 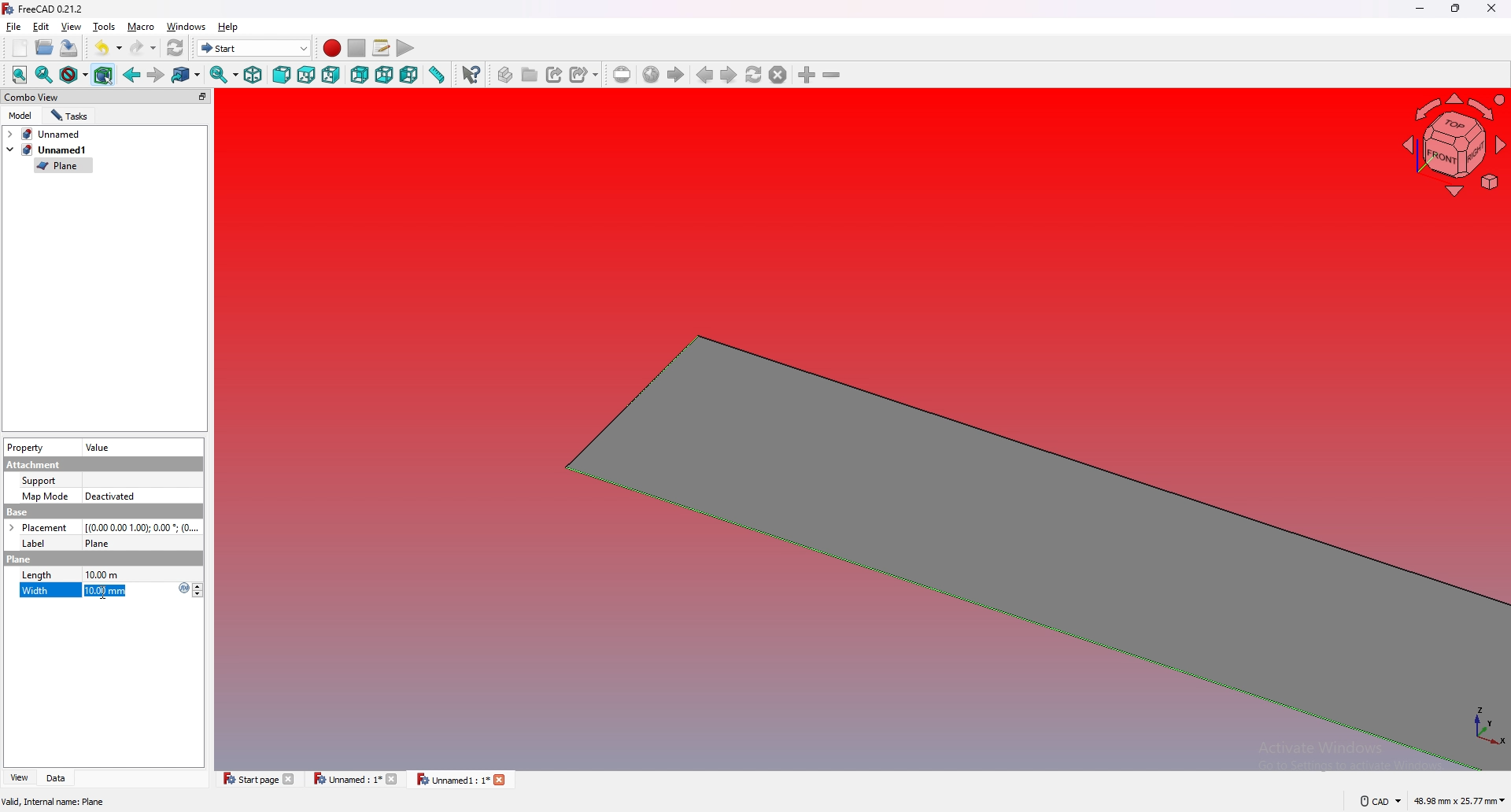 What do you see at coordinates (104, 26) in the screenshot?
I see `tools` at bounding box center [104, 26].